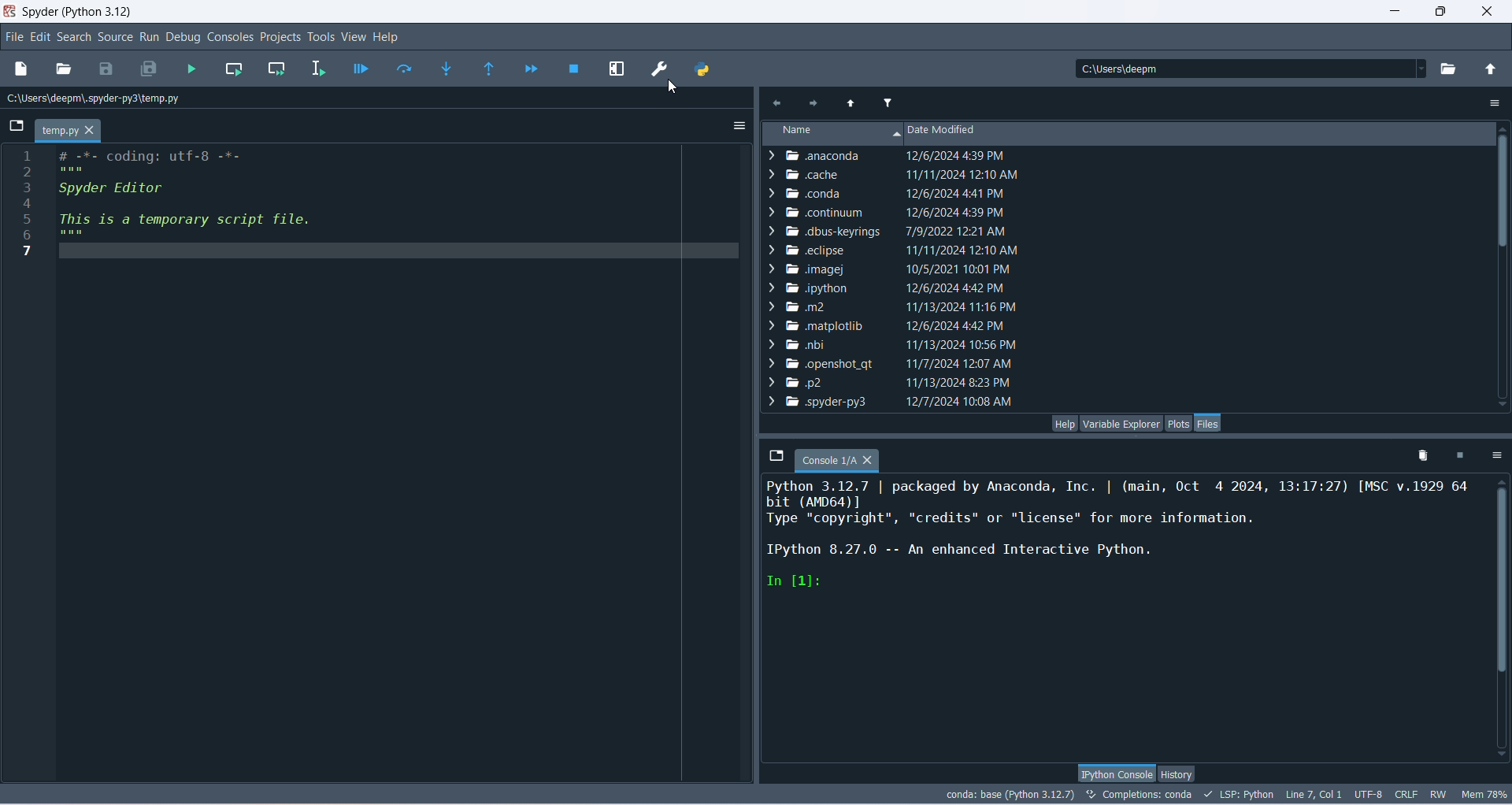 Image resolution: width=1512 pixels, height=805 pixels. What do you see at coordinates (1483, 793) in the screenshot?
I see `Mem` at bounding box center [1483, 793].